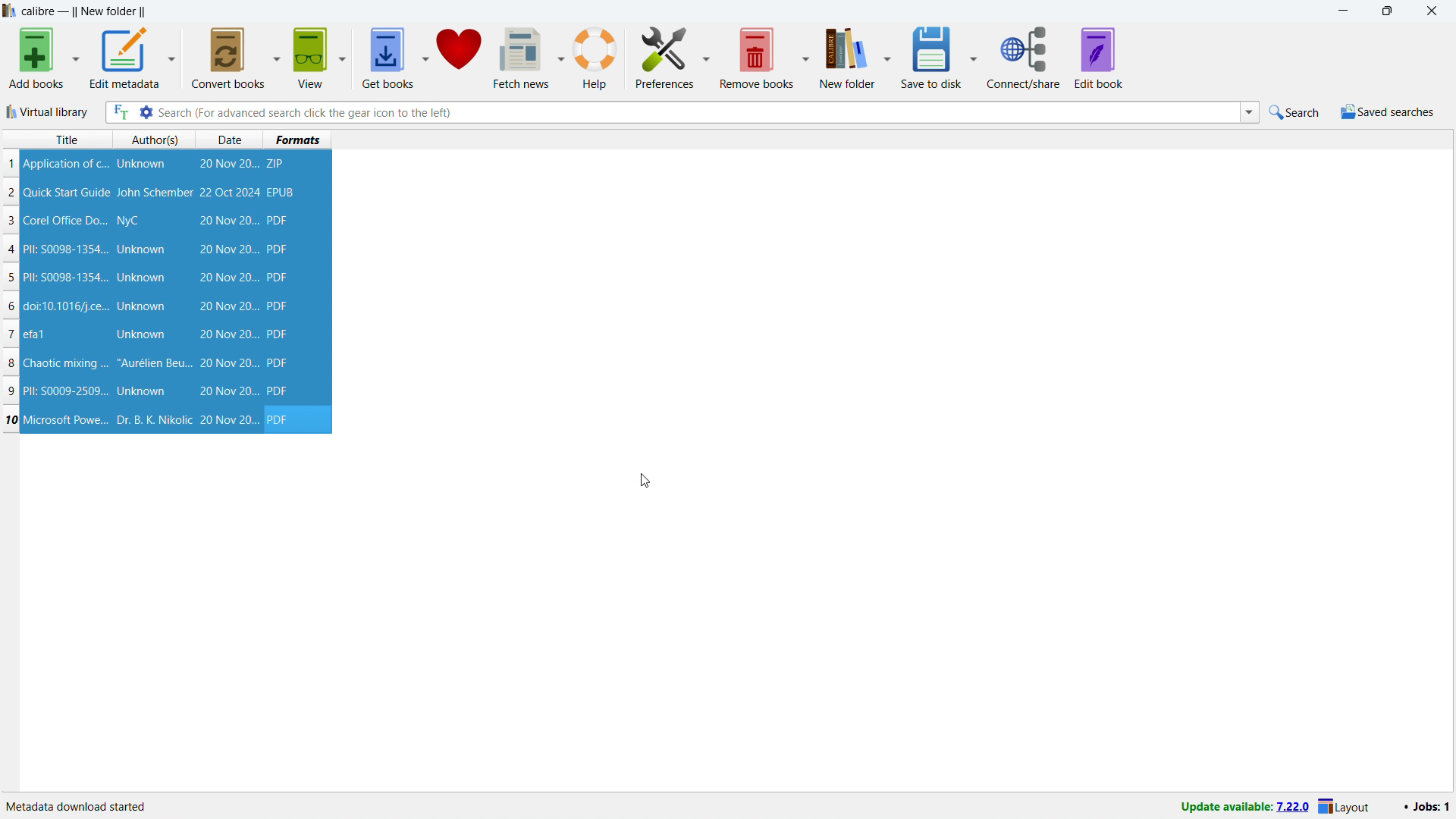 The width and height of the screenshot is (1456, 819). I want to click on 5, so click(10, 279).